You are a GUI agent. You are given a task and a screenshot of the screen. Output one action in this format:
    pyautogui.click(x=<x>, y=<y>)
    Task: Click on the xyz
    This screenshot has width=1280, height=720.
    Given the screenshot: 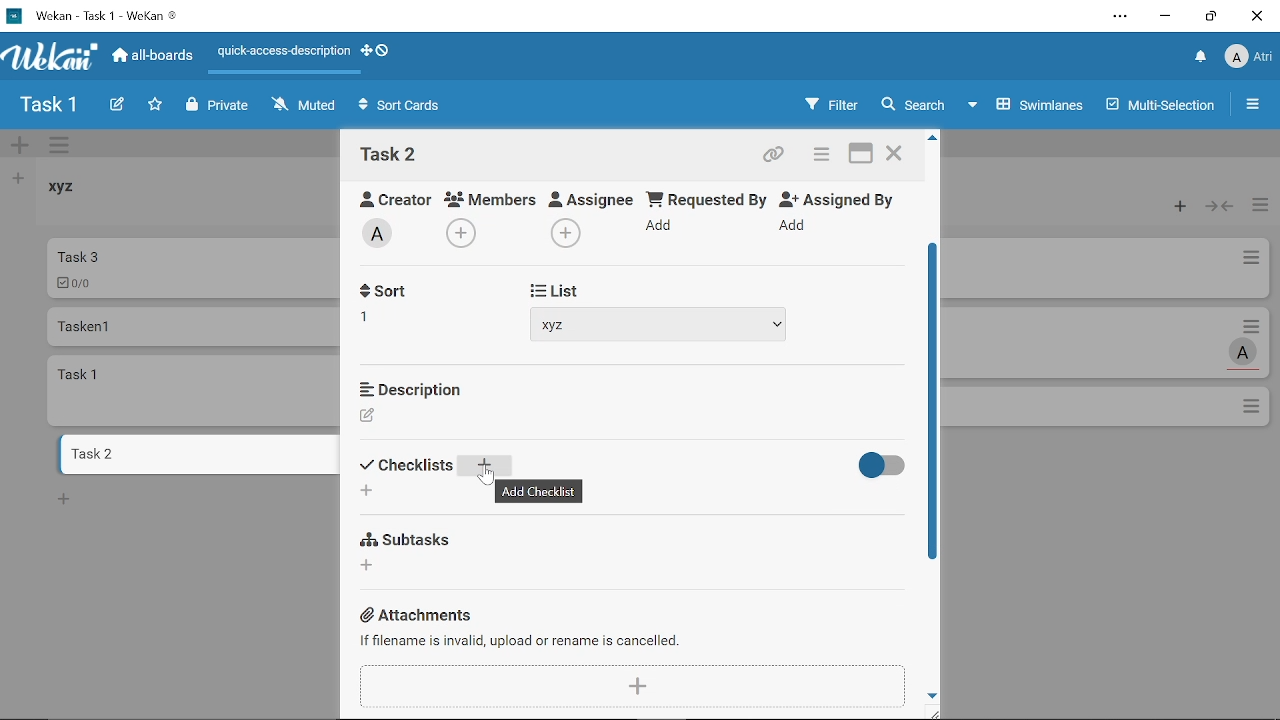 What is the action you would take?
    pyautogui.click(x=670, y=325)
    